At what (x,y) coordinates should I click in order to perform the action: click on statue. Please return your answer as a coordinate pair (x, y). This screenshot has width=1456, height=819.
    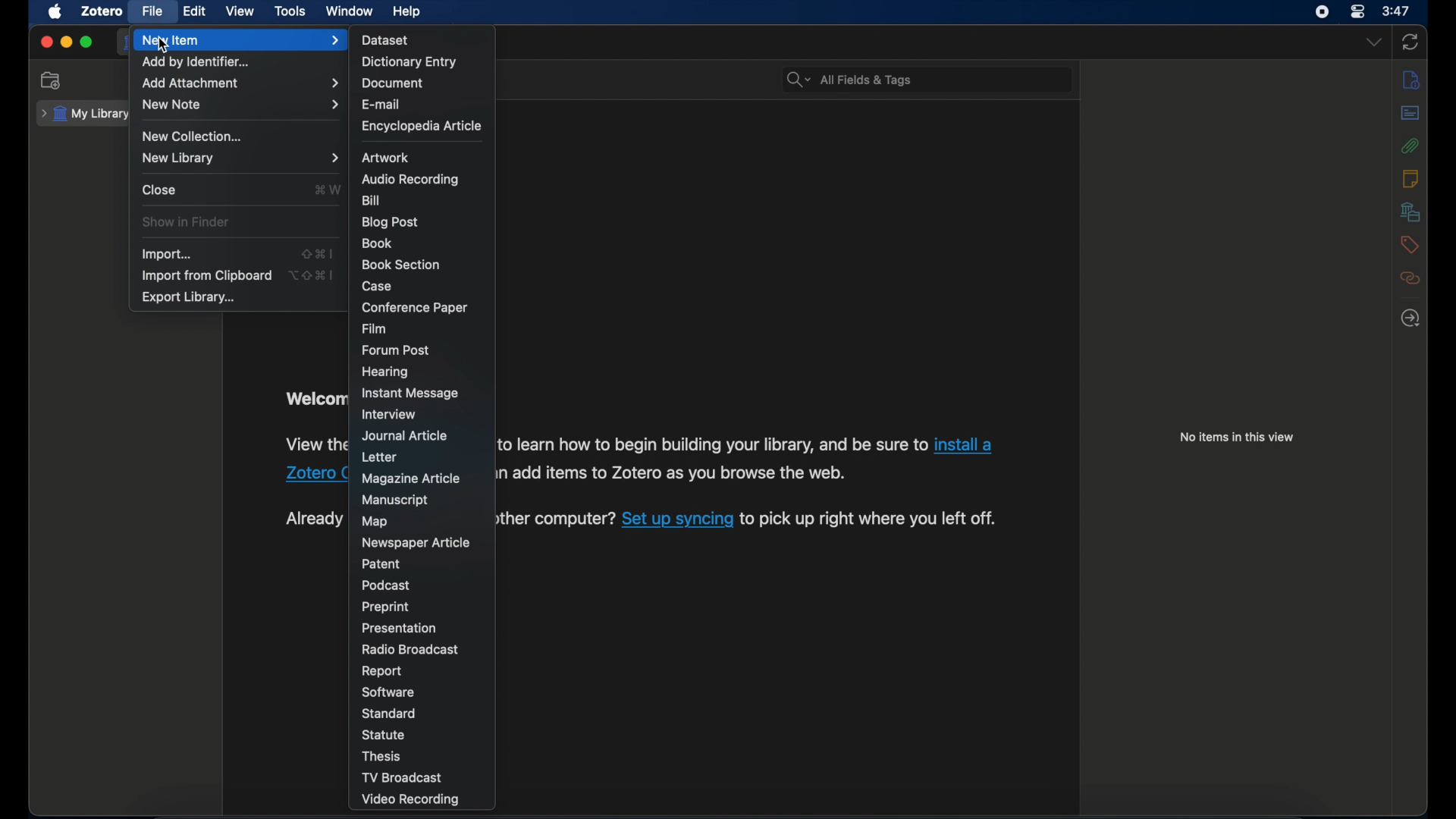
    Looking at the image, I should click on (385, 734).